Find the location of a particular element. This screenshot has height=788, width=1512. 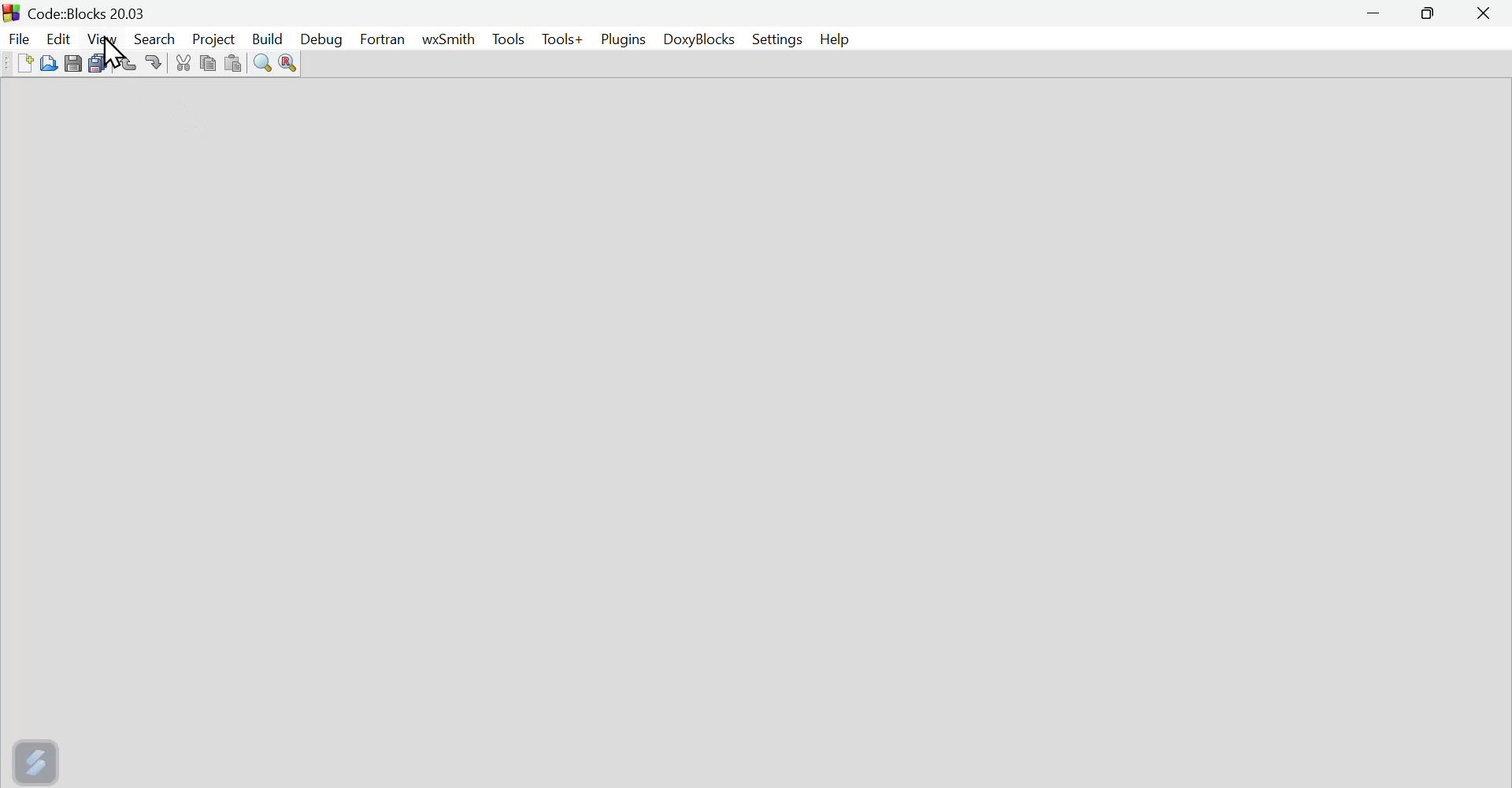

 is located at coordinates (73, 61).